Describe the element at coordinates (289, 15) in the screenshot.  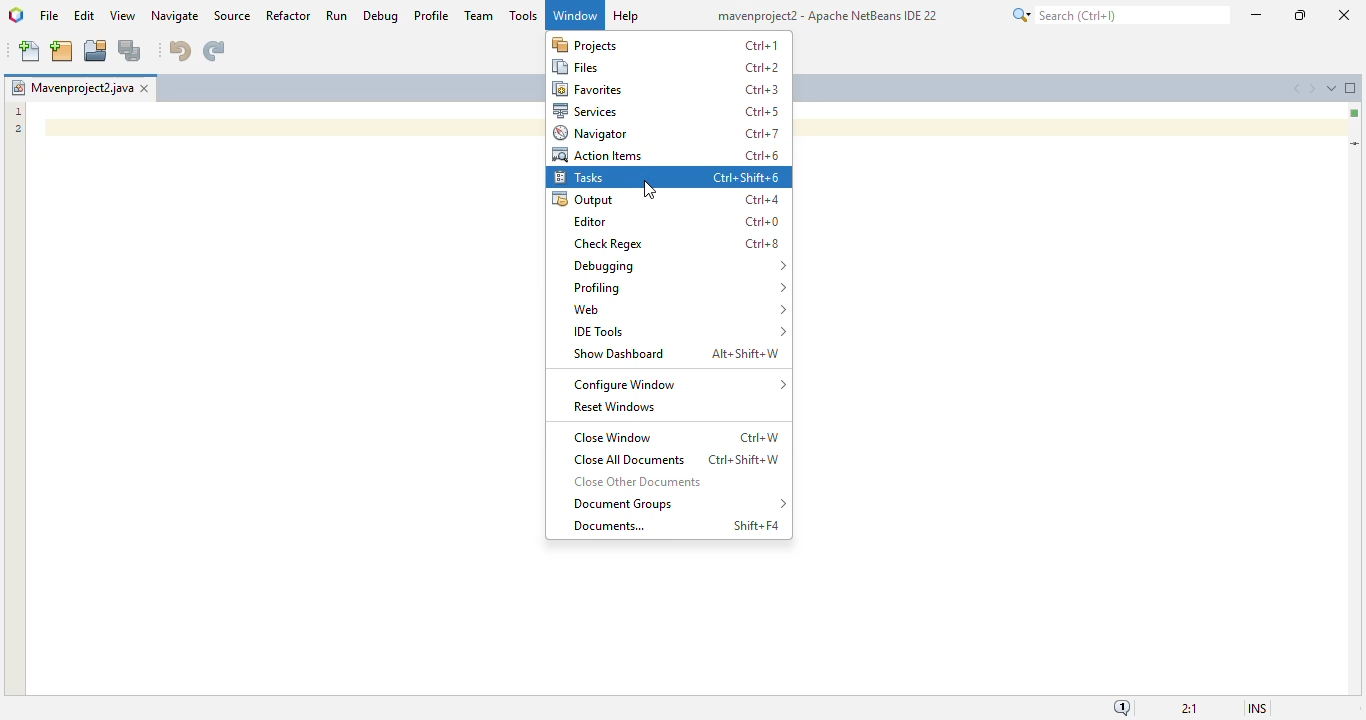
I see `refactor` at that location.